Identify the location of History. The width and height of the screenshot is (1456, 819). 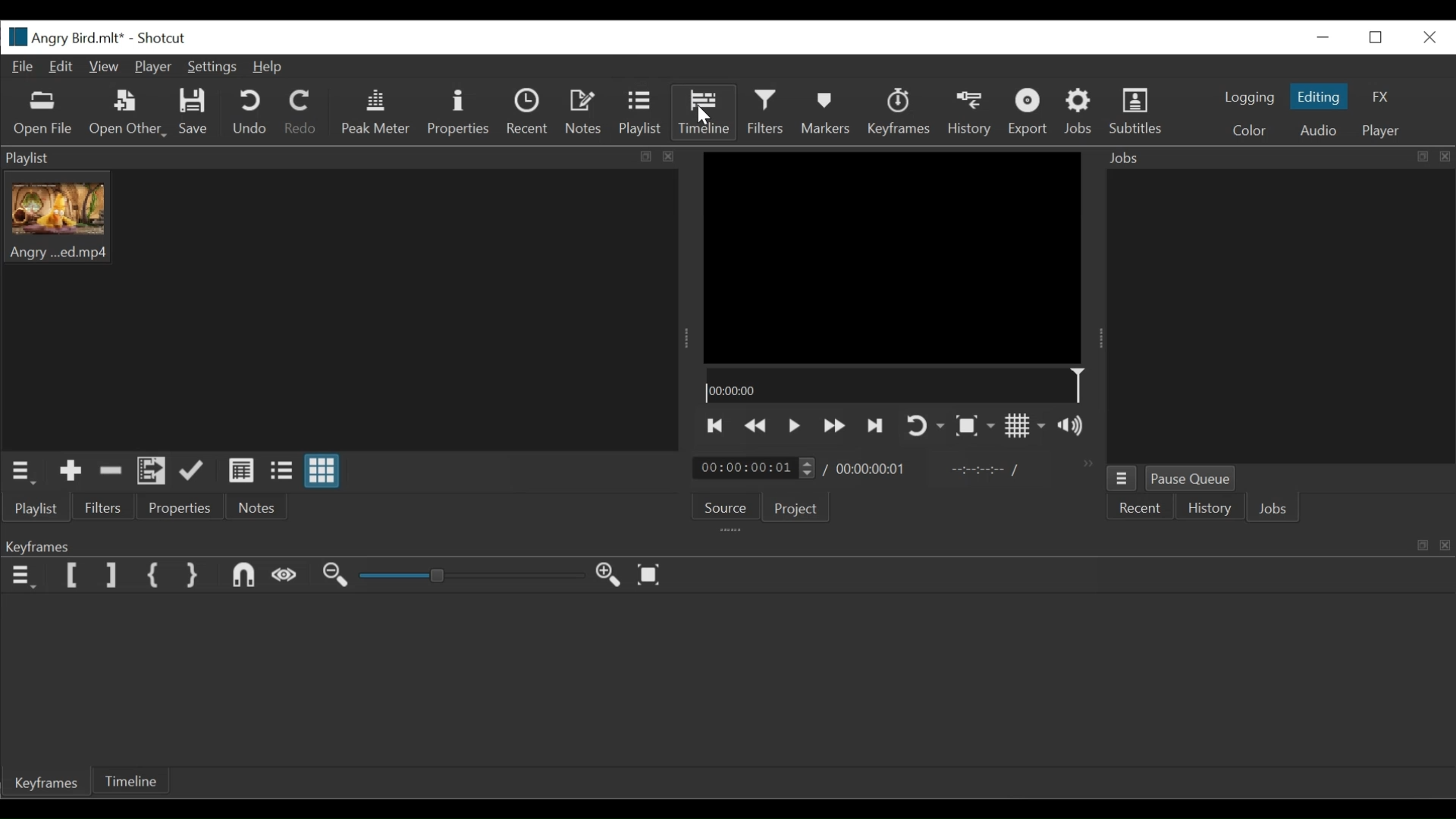
(971, 113).